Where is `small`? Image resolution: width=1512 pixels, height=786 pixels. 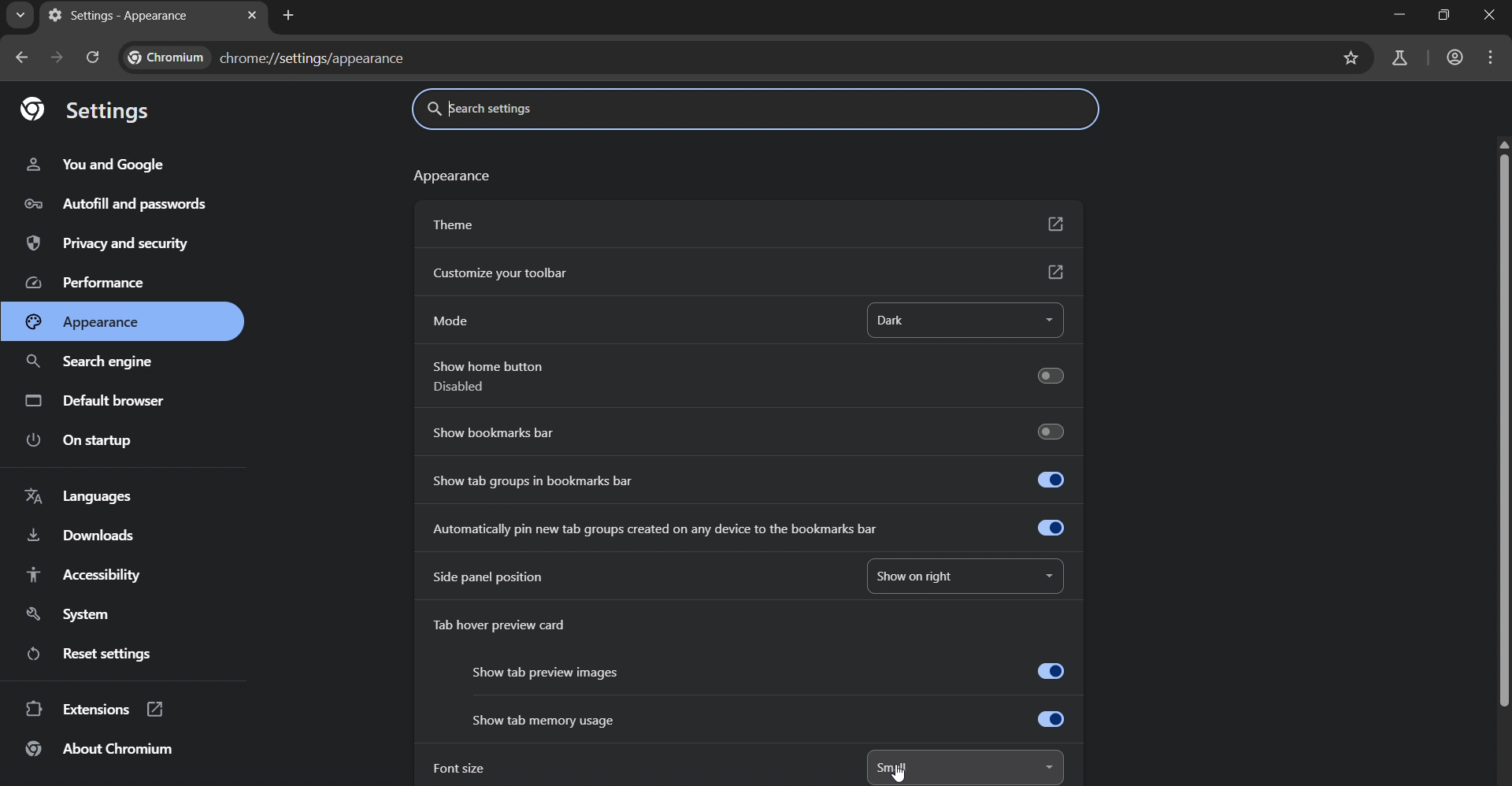 small is located at coordinates (911, 769).